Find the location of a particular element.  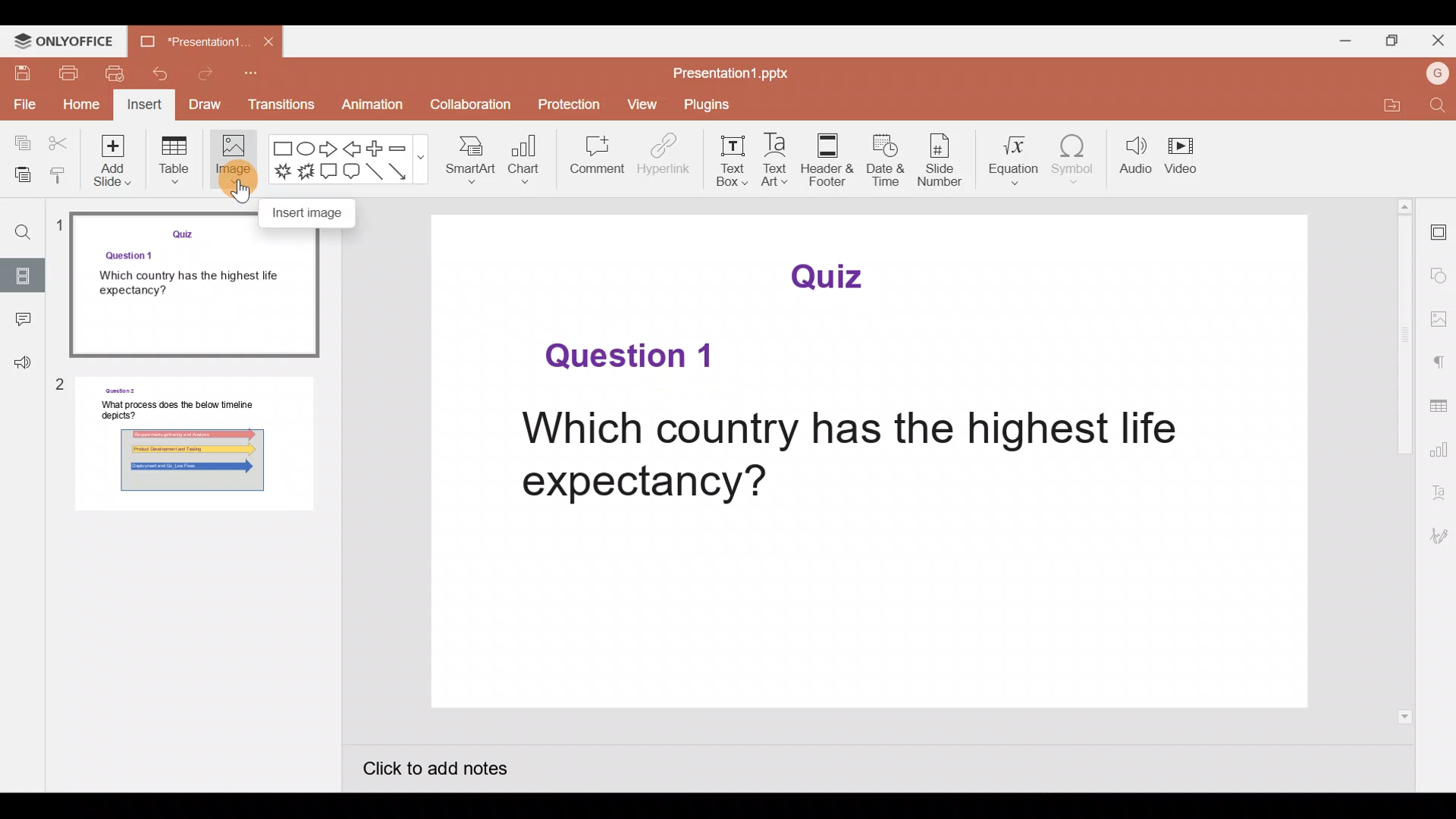

Slide settings is located at coordinates (1439, 230).